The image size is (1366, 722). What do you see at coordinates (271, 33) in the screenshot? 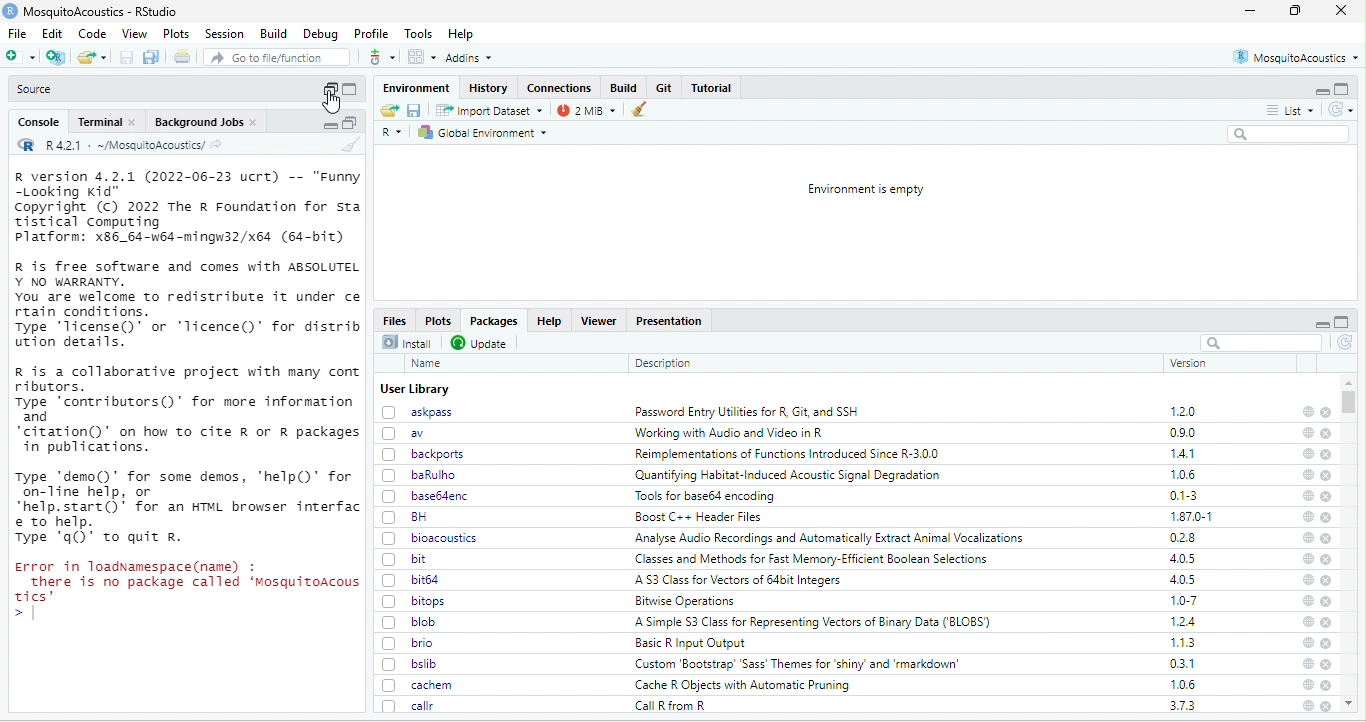
I see `Build` at bounding box center [271, 33].